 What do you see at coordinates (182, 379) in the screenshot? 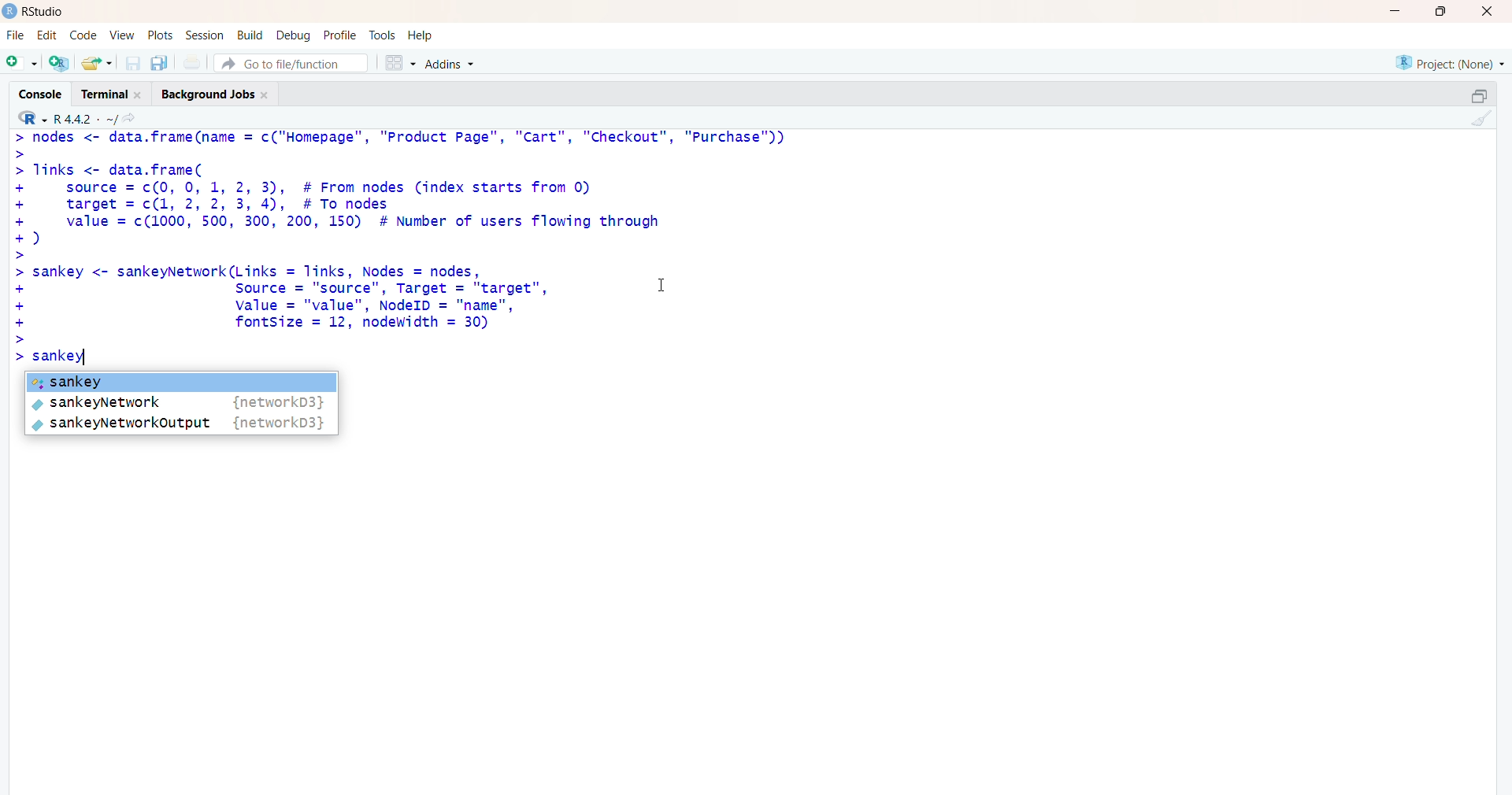
I see `[ ~, sankey` at bounding box center [182, 379].